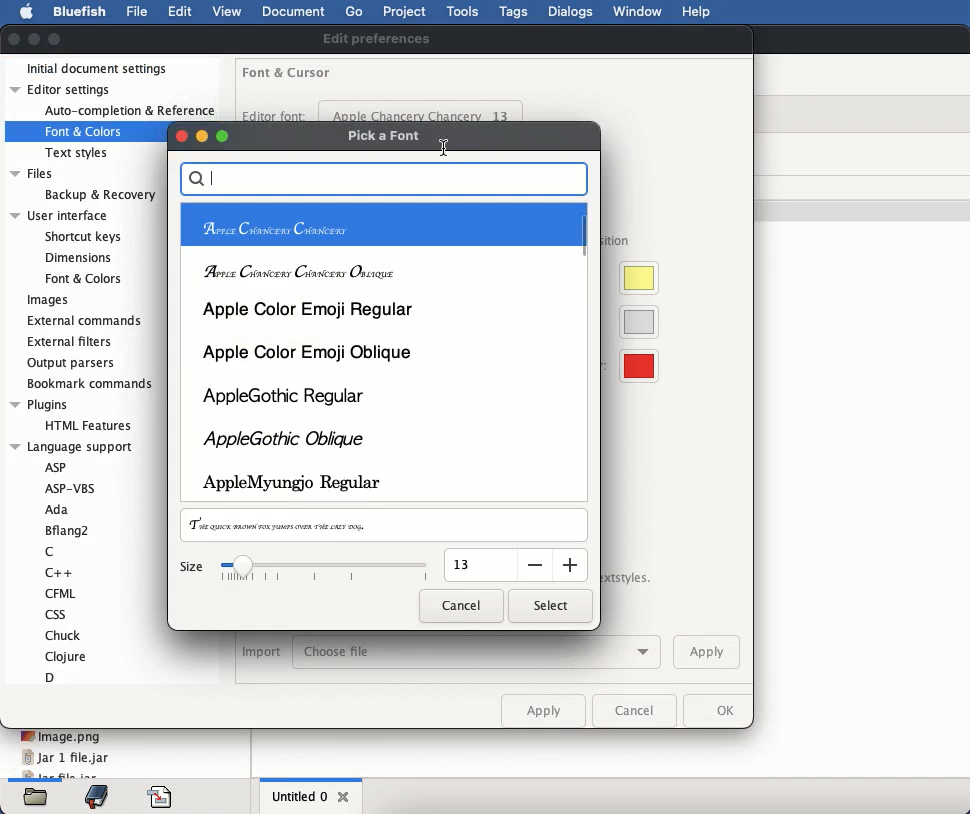 The image size is (970, 814). Describe the element at coordinates (136, 11) in the screenshot. I see `file` at that location.